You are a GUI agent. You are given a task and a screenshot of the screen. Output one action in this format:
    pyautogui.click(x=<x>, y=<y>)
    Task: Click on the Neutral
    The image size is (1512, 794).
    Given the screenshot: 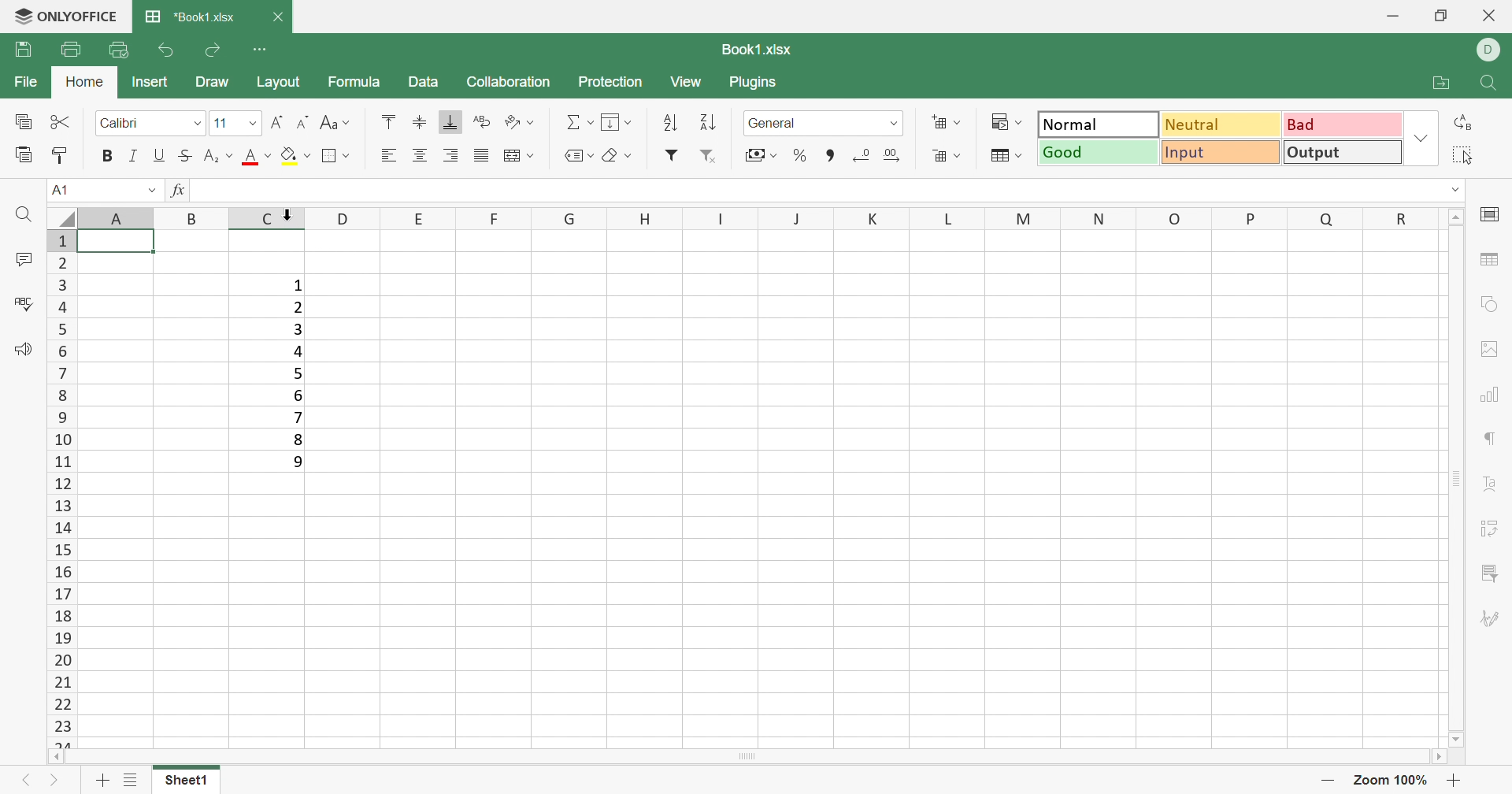 What is the action you would take?
    pyautogui.click(x=1225, y=124)
    